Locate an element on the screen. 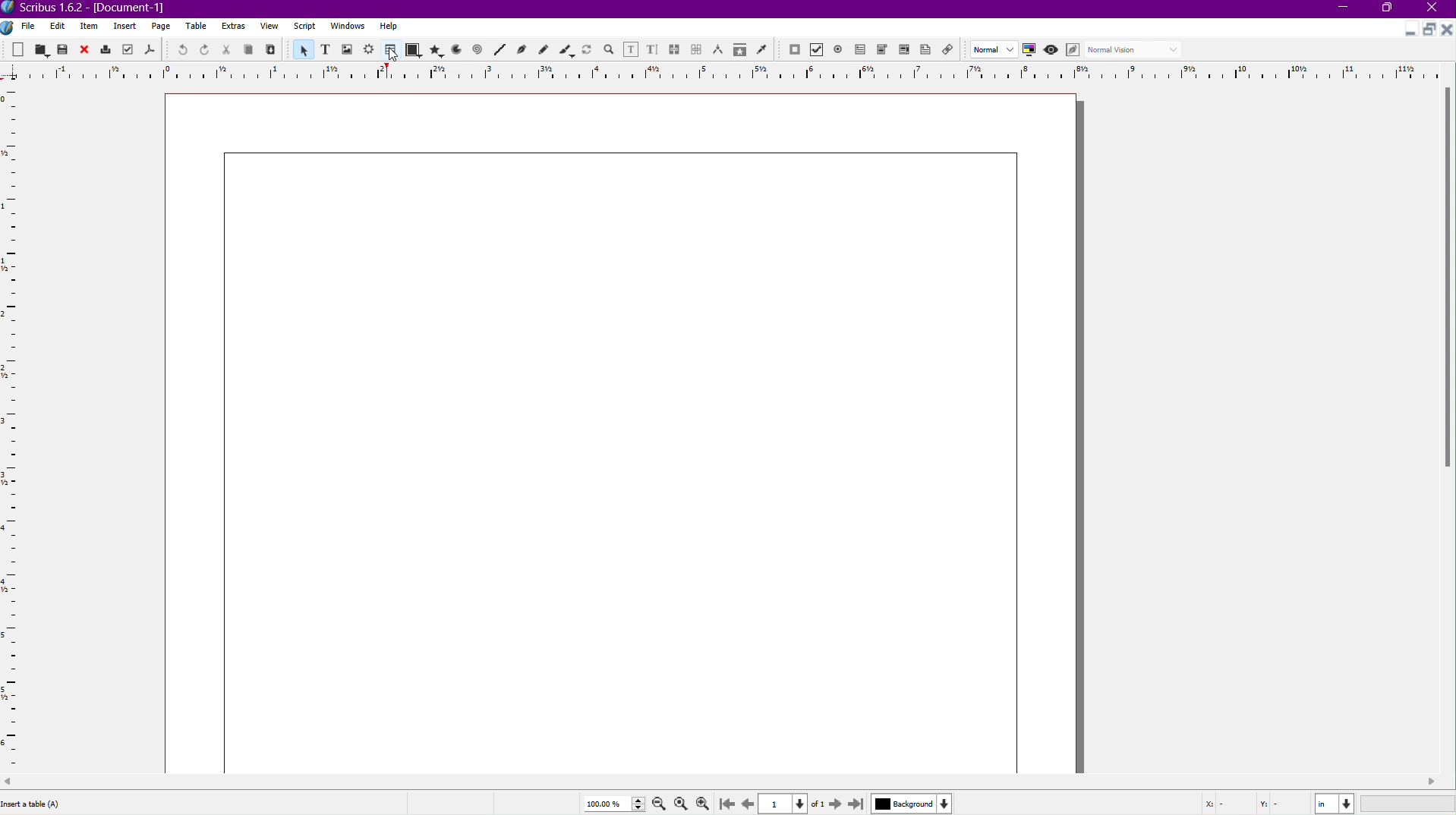 This screenshot has height=815, width=1456. Link Text Frames is located at coordinates (675, 47).